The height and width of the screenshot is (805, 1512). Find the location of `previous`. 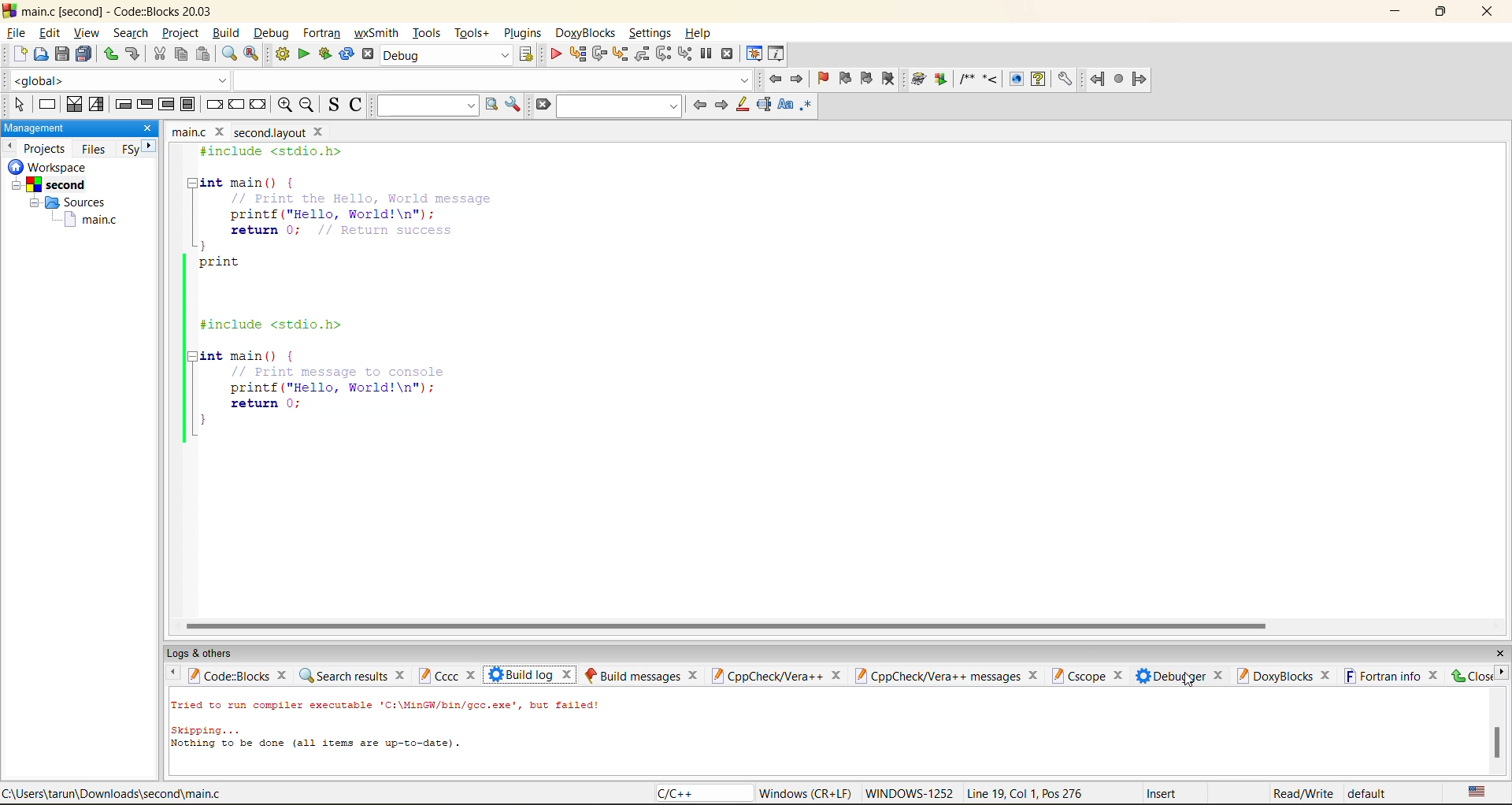

previous is located at coordinates (12, 147).